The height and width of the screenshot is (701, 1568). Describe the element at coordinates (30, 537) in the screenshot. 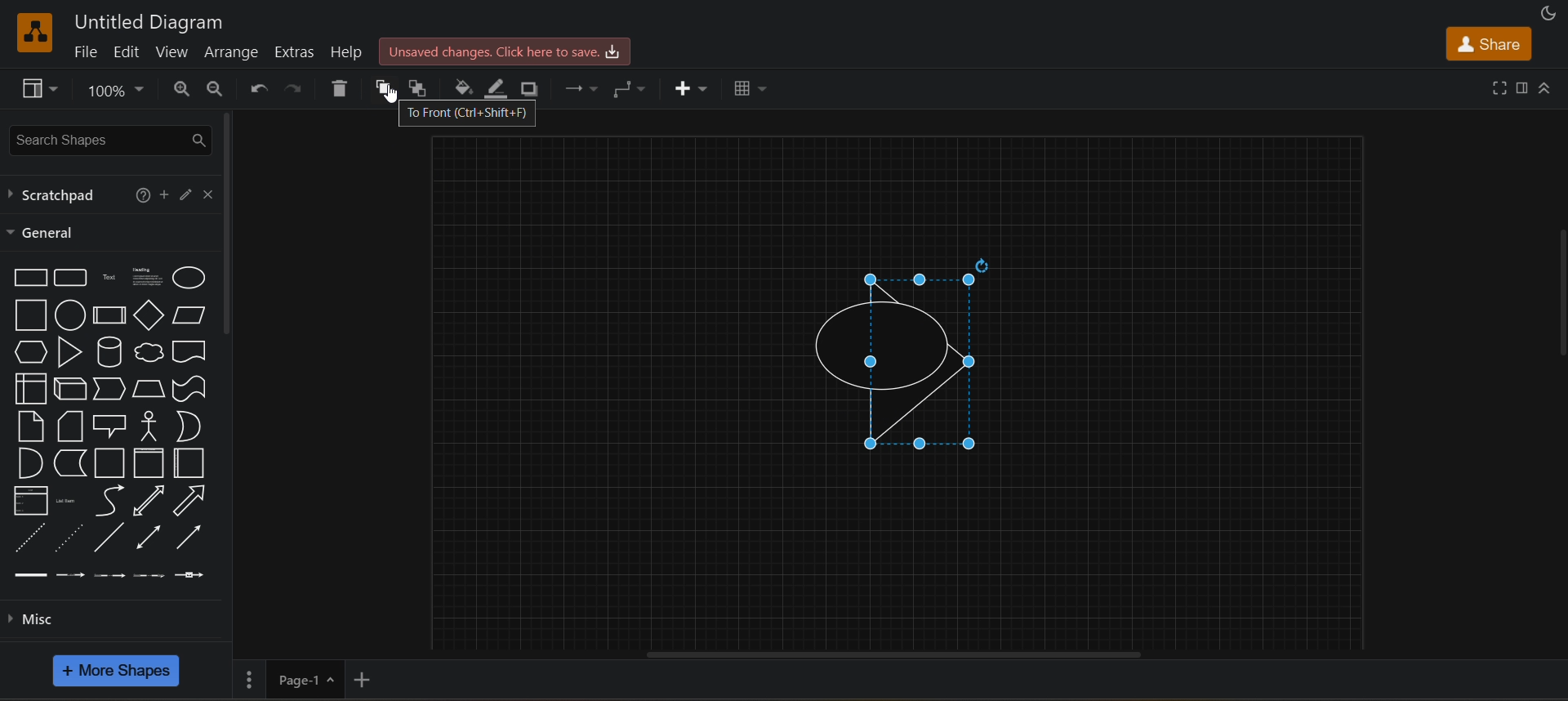

I see `dashed line` at that location.